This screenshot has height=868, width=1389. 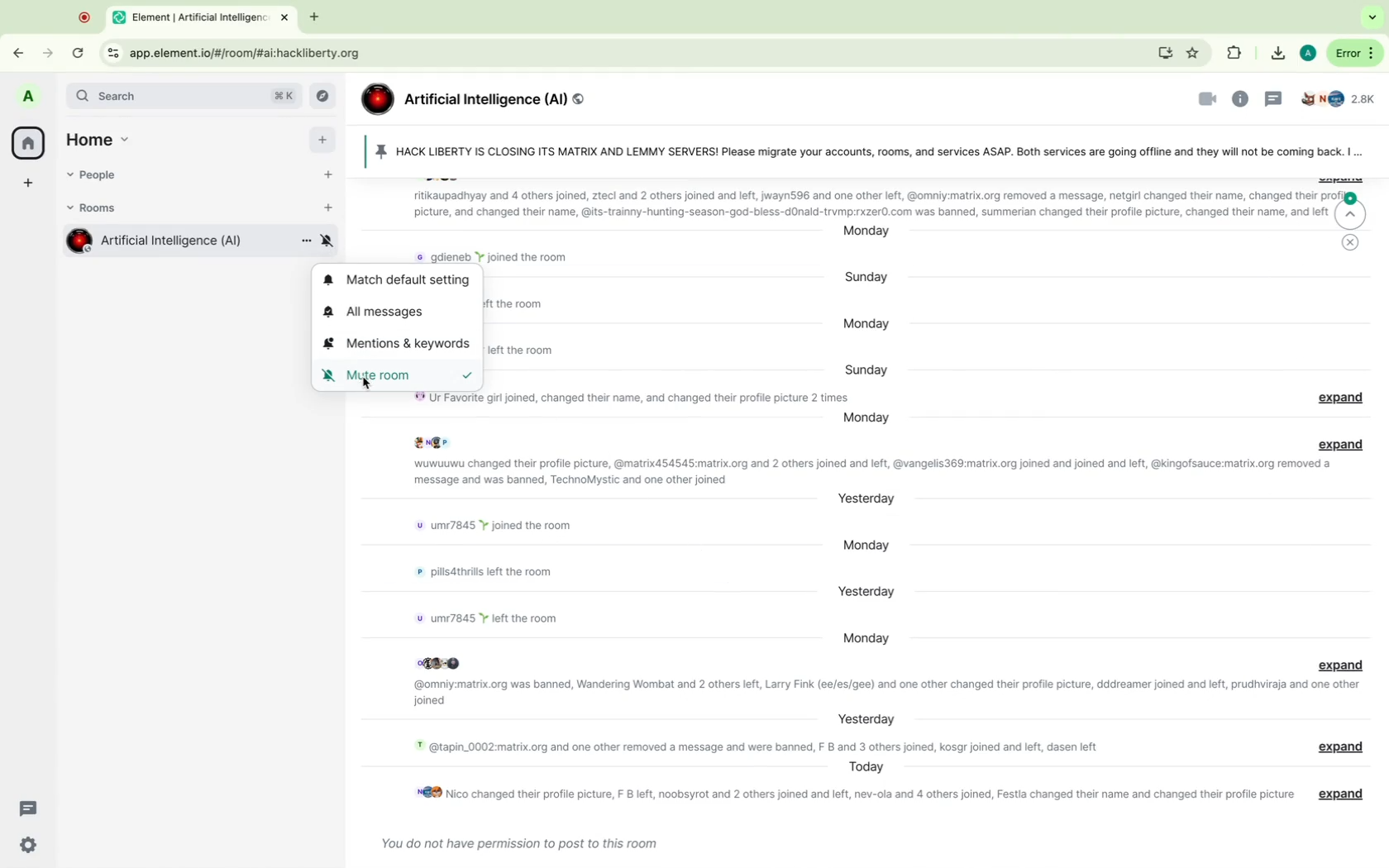 I want to click on informations, so click(x=1243, y=98).